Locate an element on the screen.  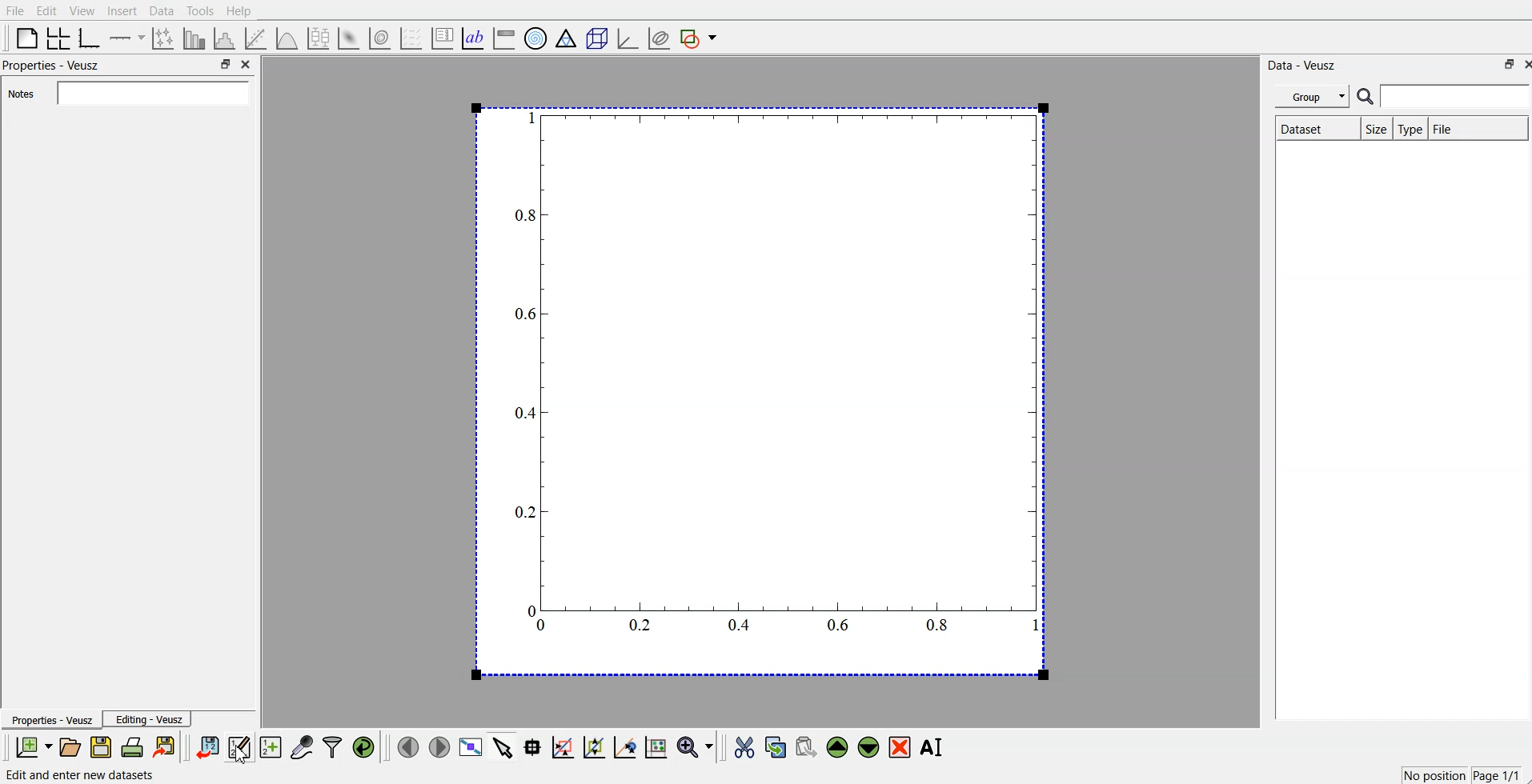
draw a rectangle on zoomed graph axes is located at coordinates (563, 749).